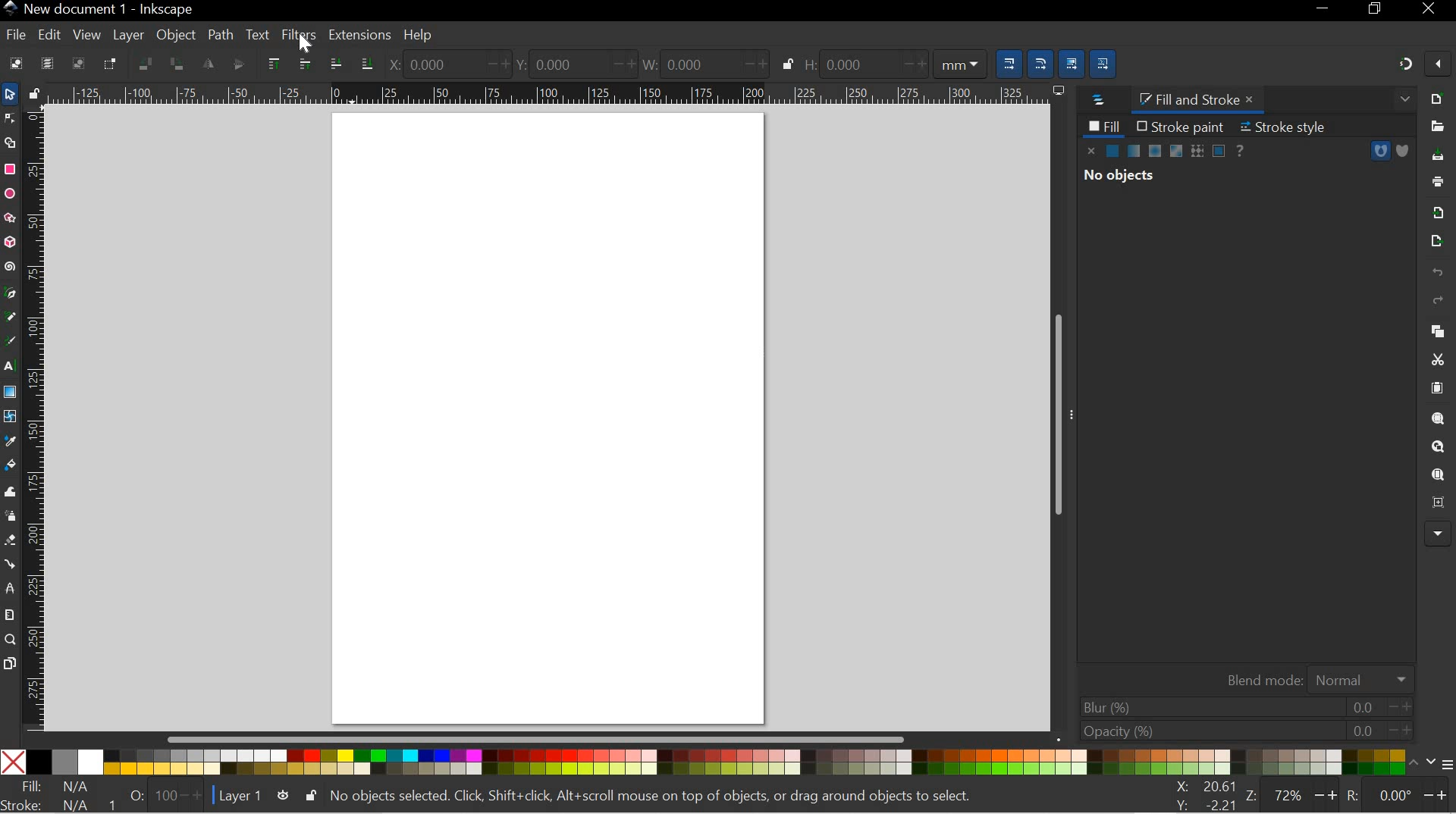 This screenshot has width=1456, height=814. I want to click on CUT, so click(1437, 359).